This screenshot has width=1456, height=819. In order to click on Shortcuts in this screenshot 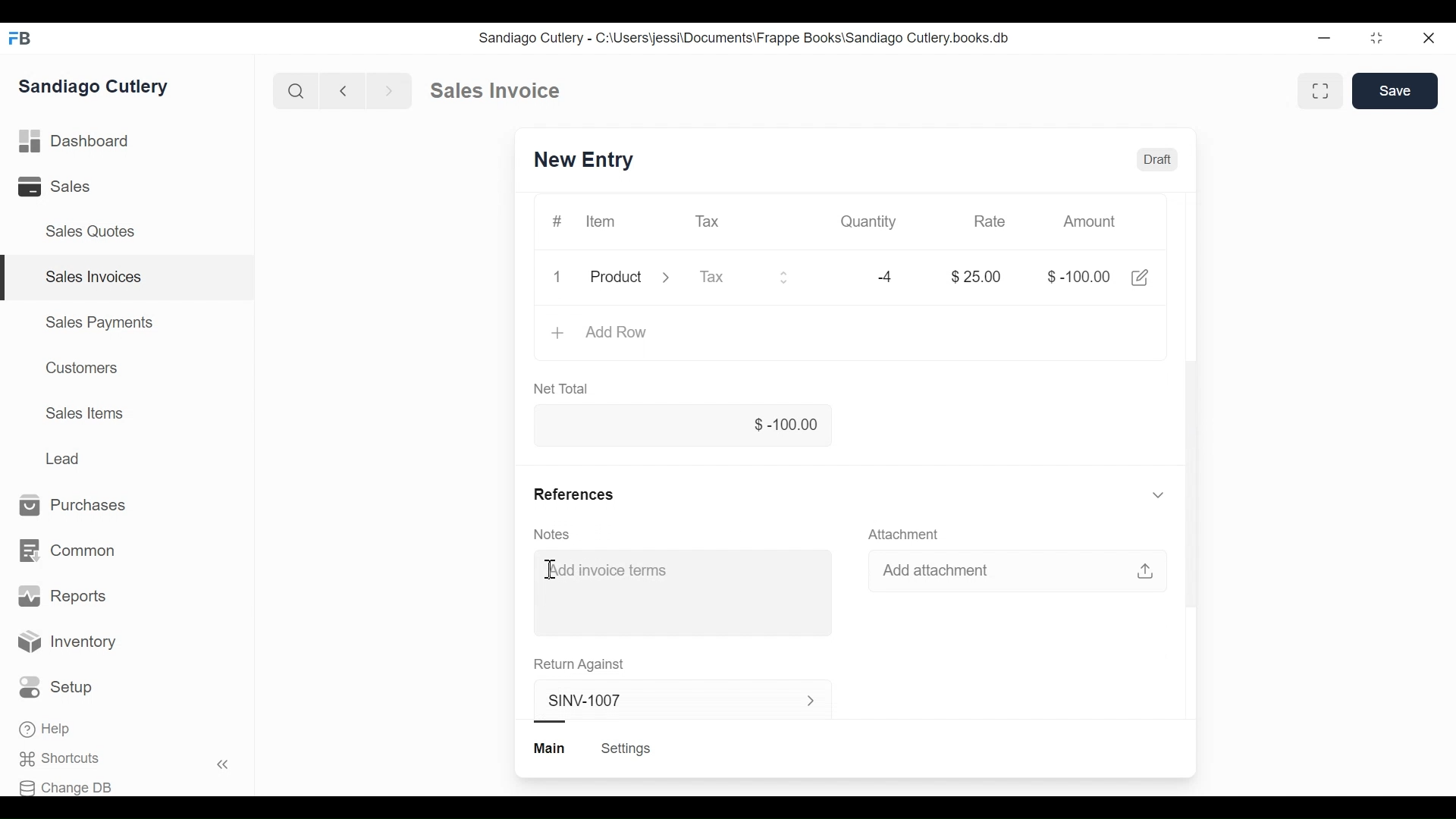, I will do `click(58, 758)`.